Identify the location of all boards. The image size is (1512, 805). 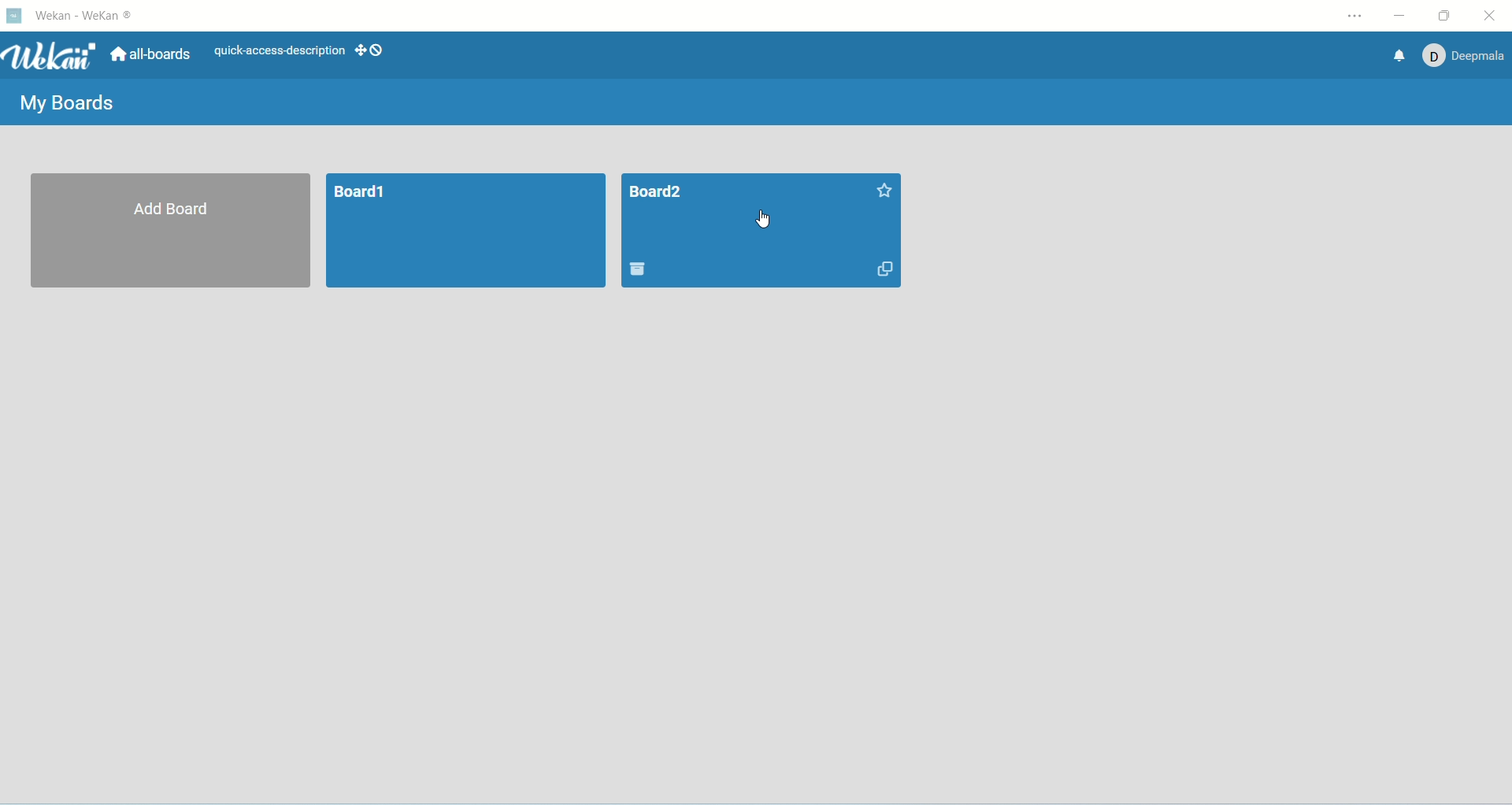
(153, 54).